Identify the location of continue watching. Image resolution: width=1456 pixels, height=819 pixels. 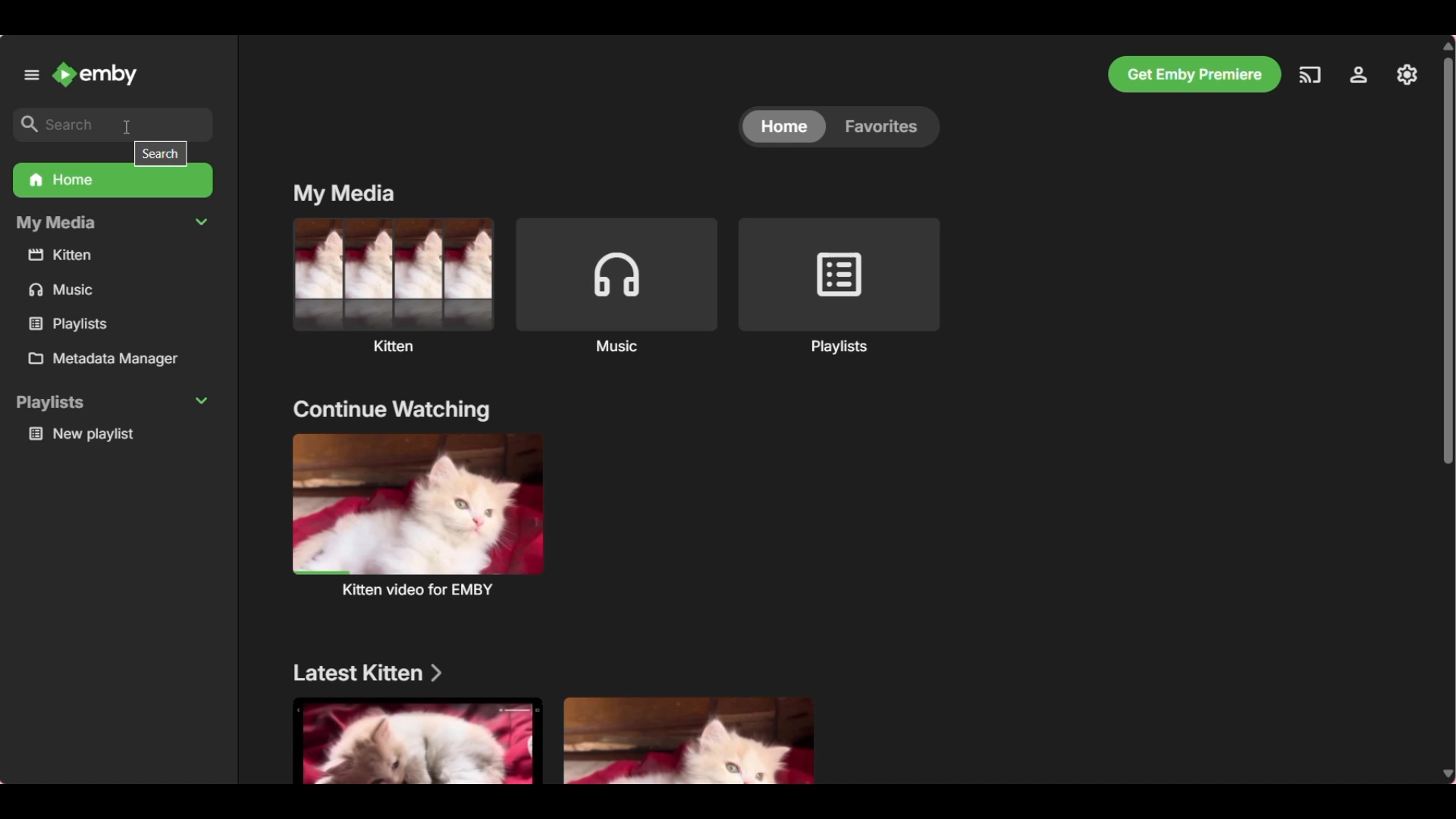
(393, 409).